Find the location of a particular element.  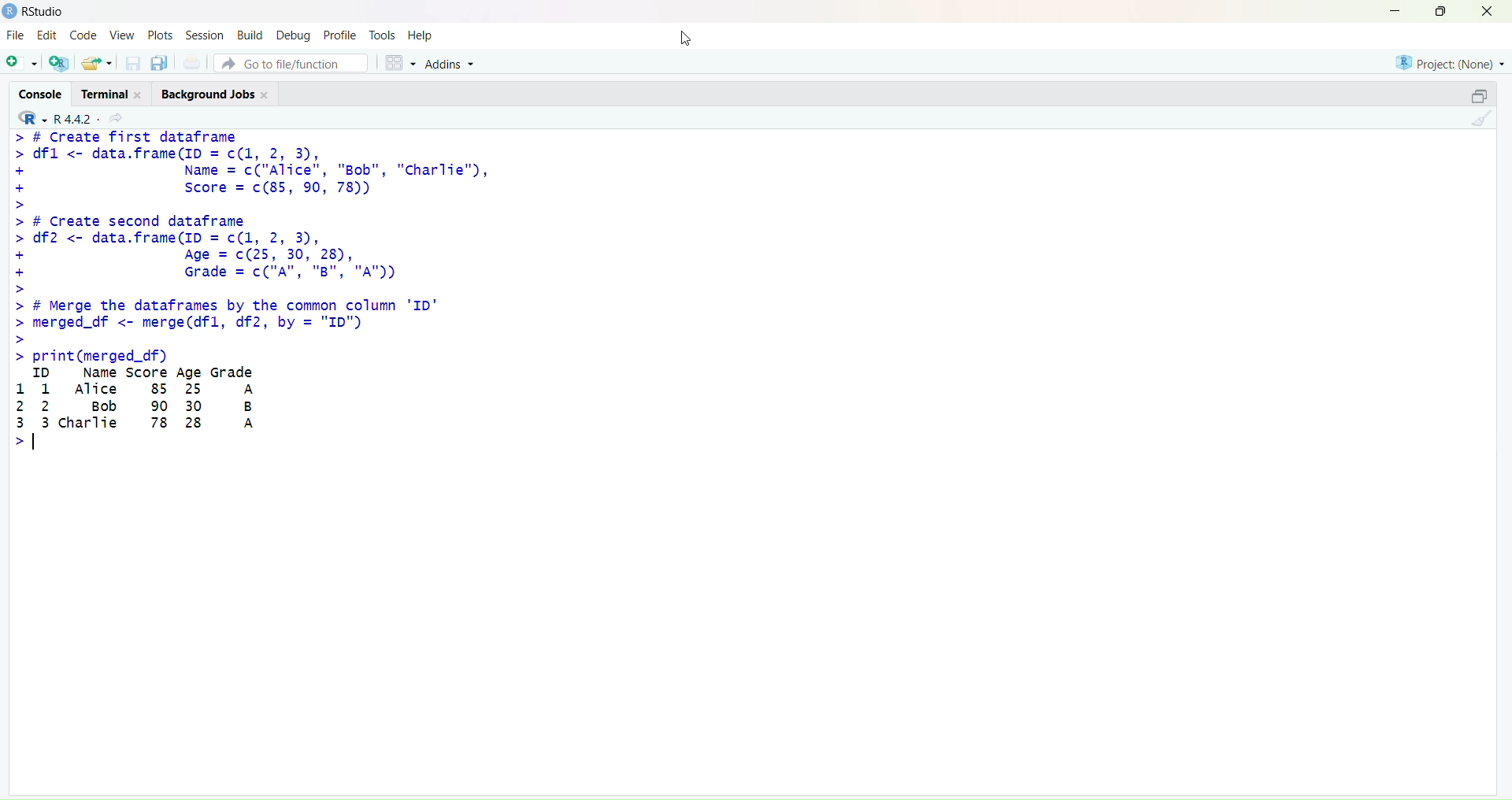

ID Name Score Age Grade
1 1 Alice 85 25 A
2 2 Bob 90 30 B
3 3 charlie 78 28 A is located at coordinates (143, 410).